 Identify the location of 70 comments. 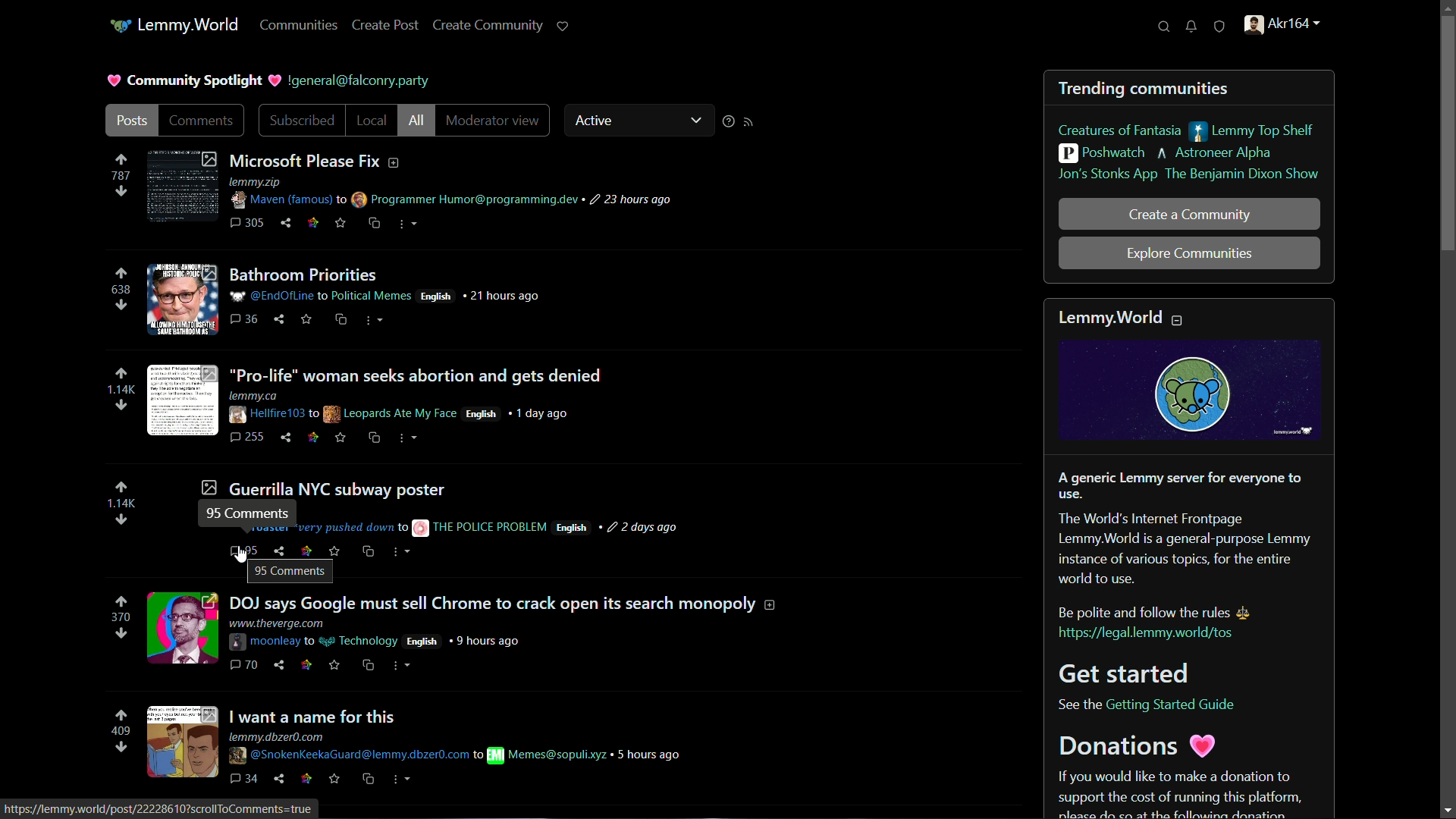
(243, 664).